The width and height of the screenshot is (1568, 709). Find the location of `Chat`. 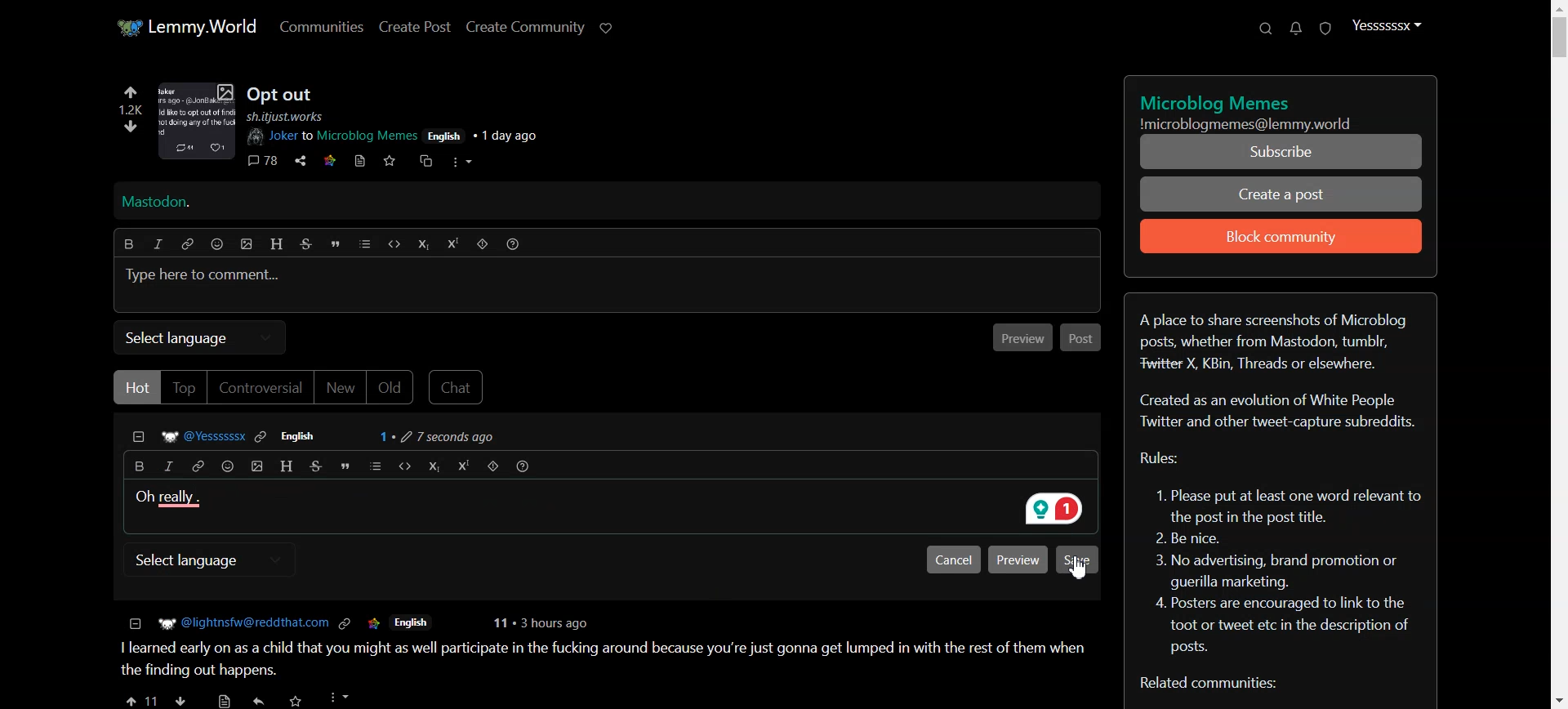

Chat is located at coordinates (460, 386).